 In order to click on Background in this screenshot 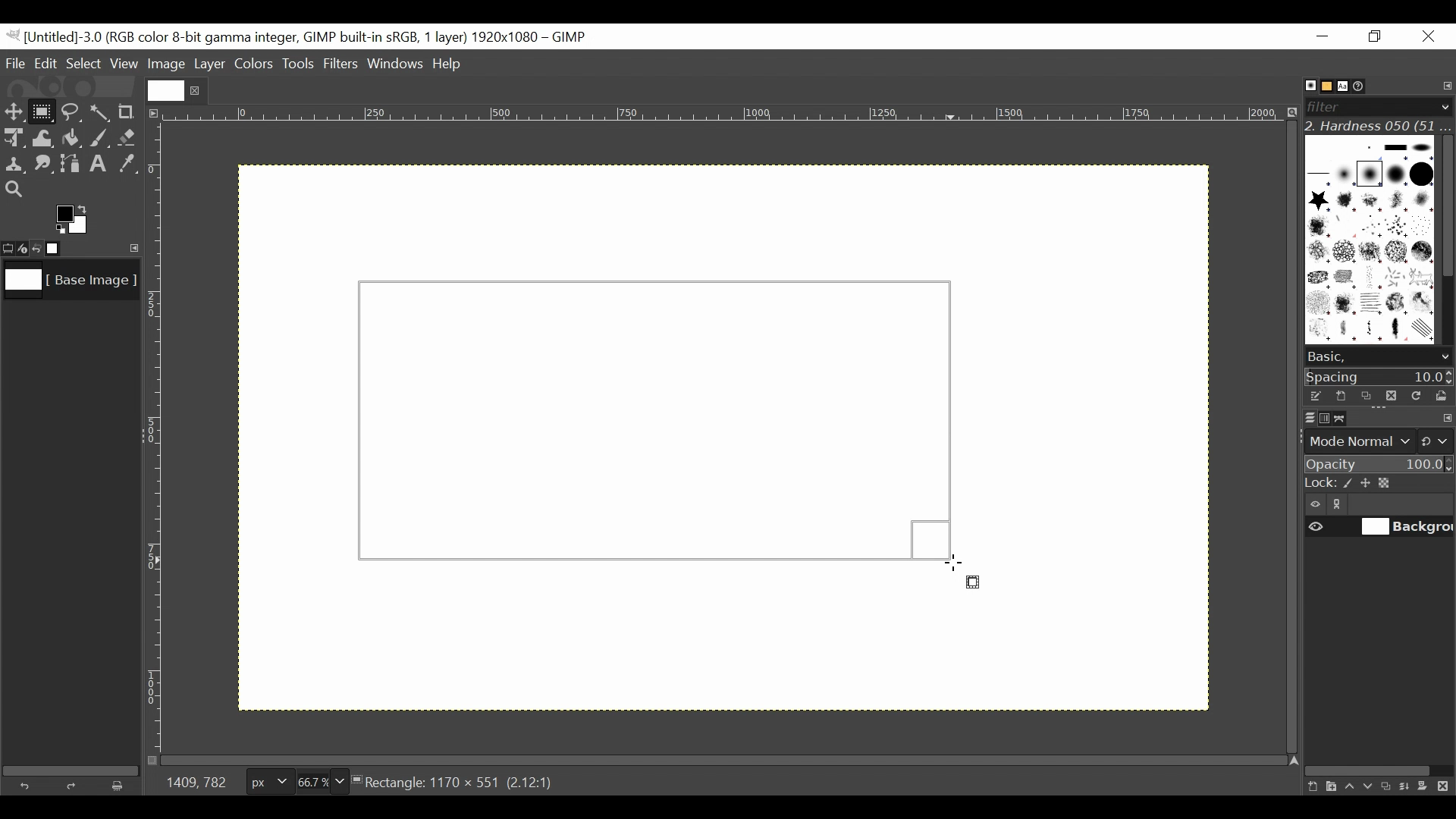, I will do `click(581, 356)`.